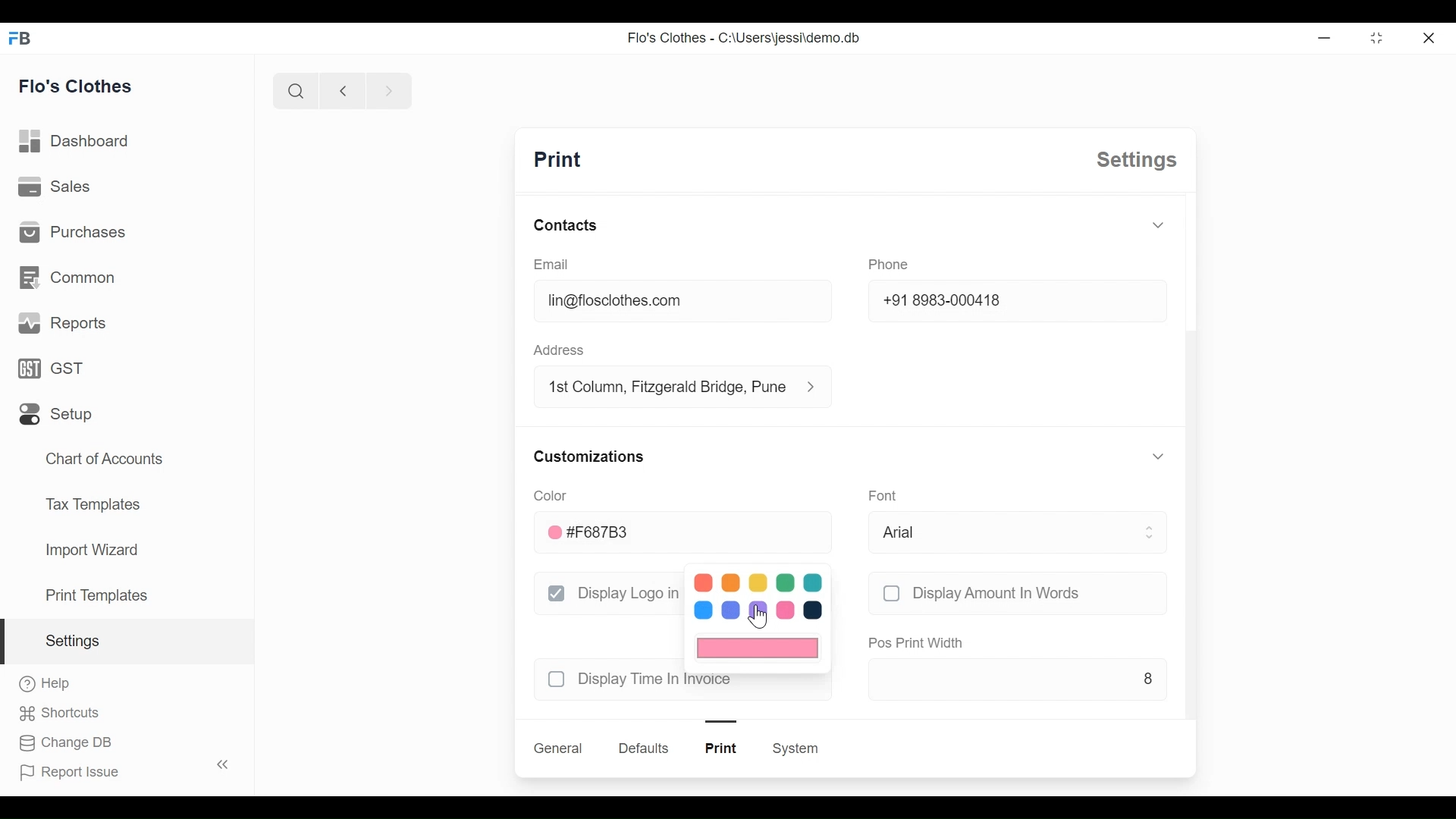 Image resolution: width=1456 pixels, height=819 pixels. Describe the element at coordinates (566, 224) in the screenshot. I see `contacts` at that location.